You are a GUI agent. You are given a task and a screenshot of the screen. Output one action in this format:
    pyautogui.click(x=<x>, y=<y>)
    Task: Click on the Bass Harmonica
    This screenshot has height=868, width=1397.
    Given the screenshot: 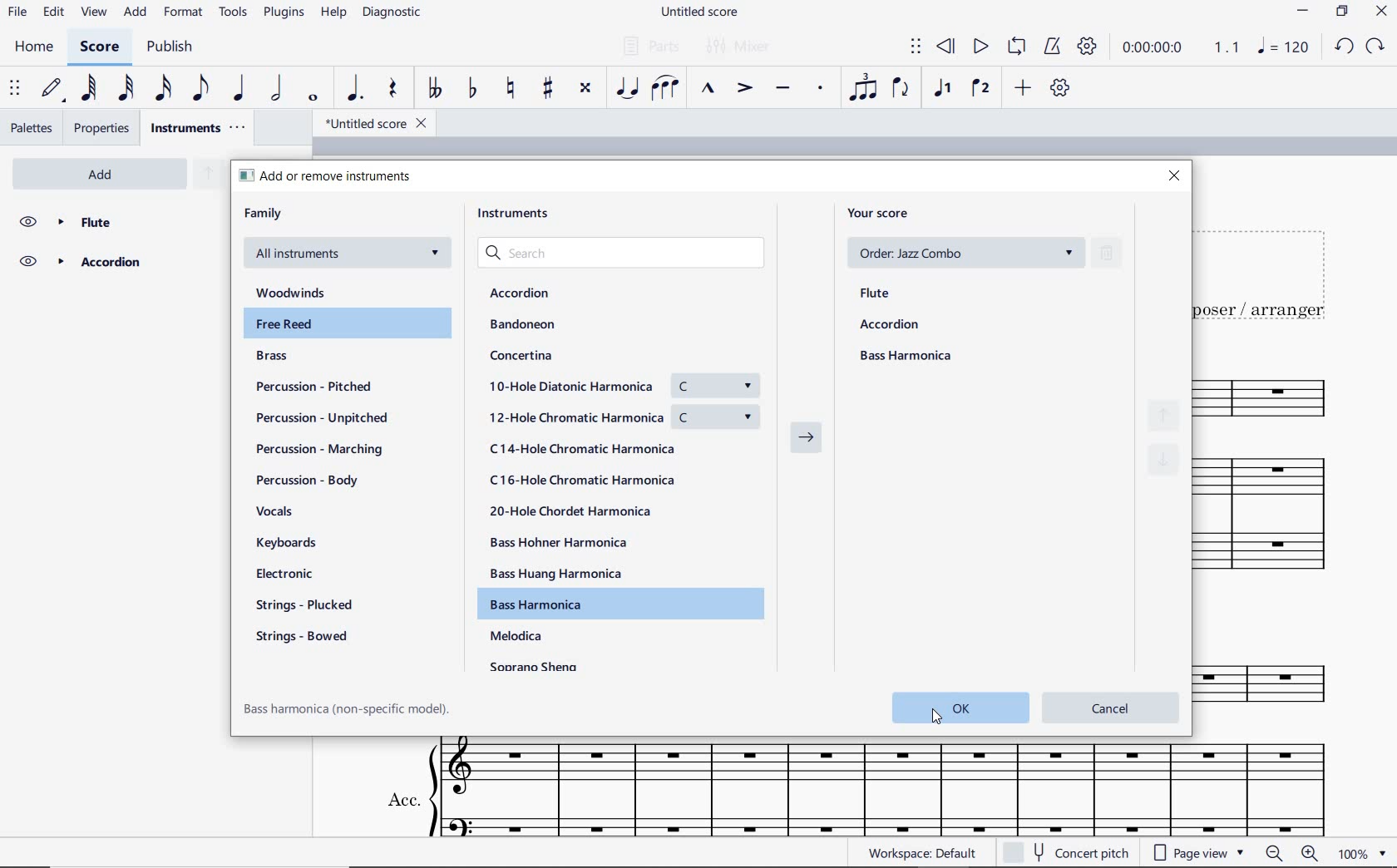 What is the action you would take?
    pyautogui.click(x=919, y=362)
    